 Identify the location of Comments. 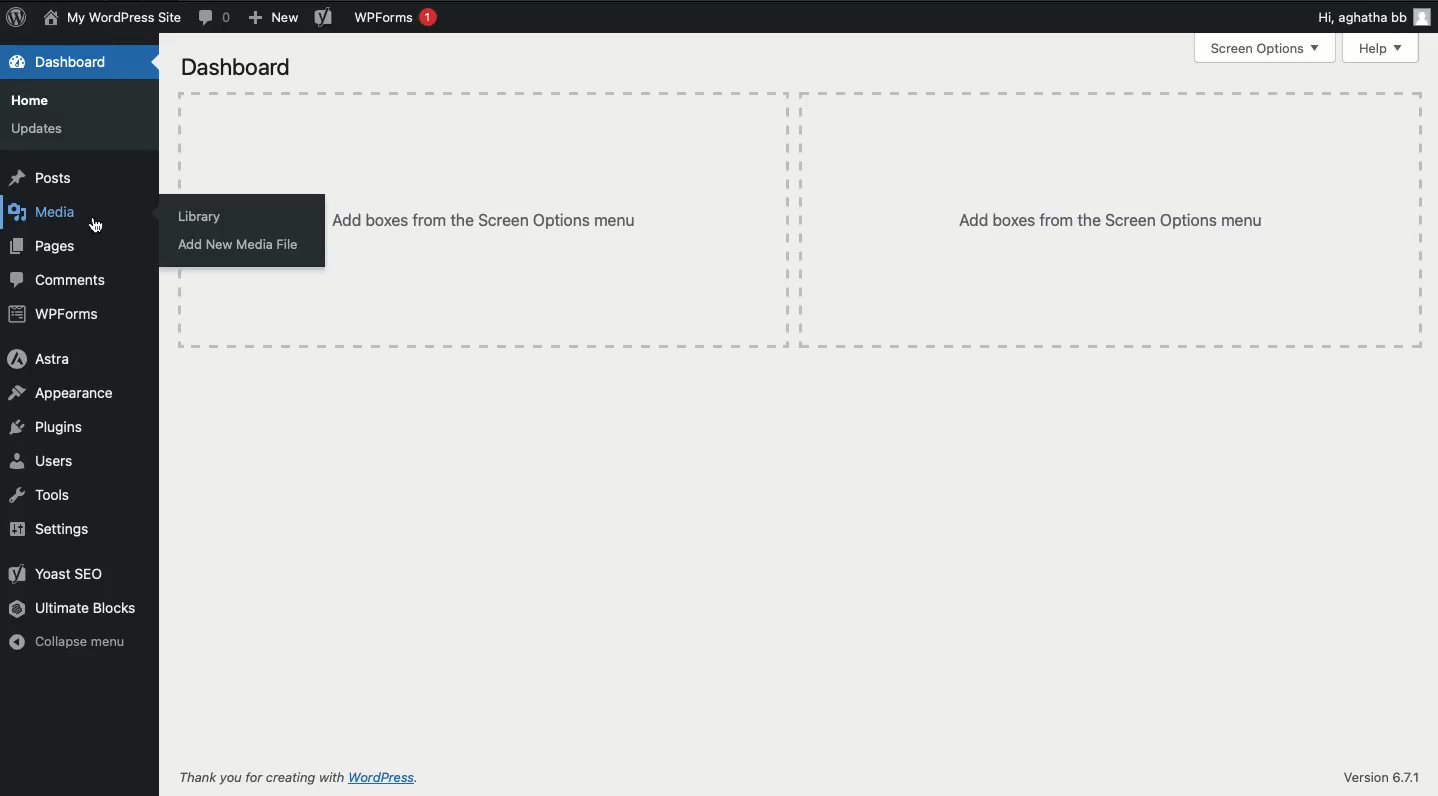
(216, 17).